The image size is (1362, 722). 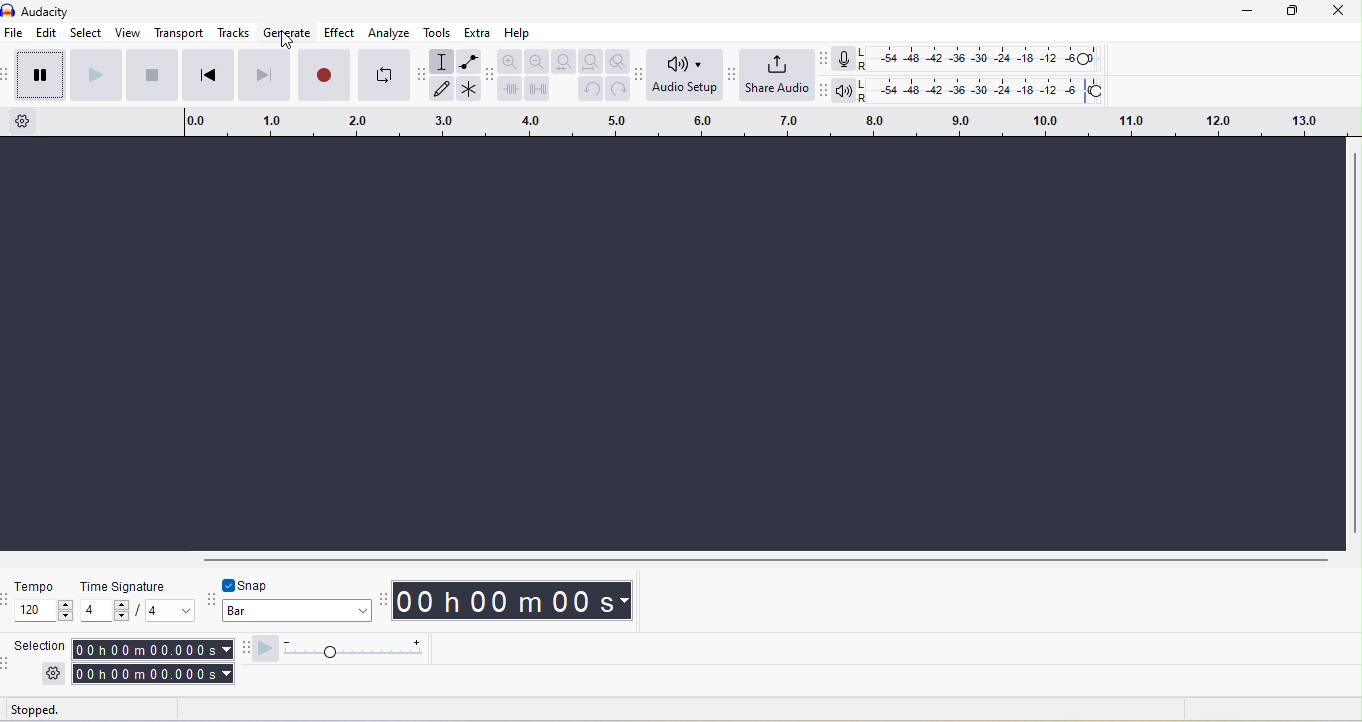 I want to click on 120, so click(x=45, y=611).